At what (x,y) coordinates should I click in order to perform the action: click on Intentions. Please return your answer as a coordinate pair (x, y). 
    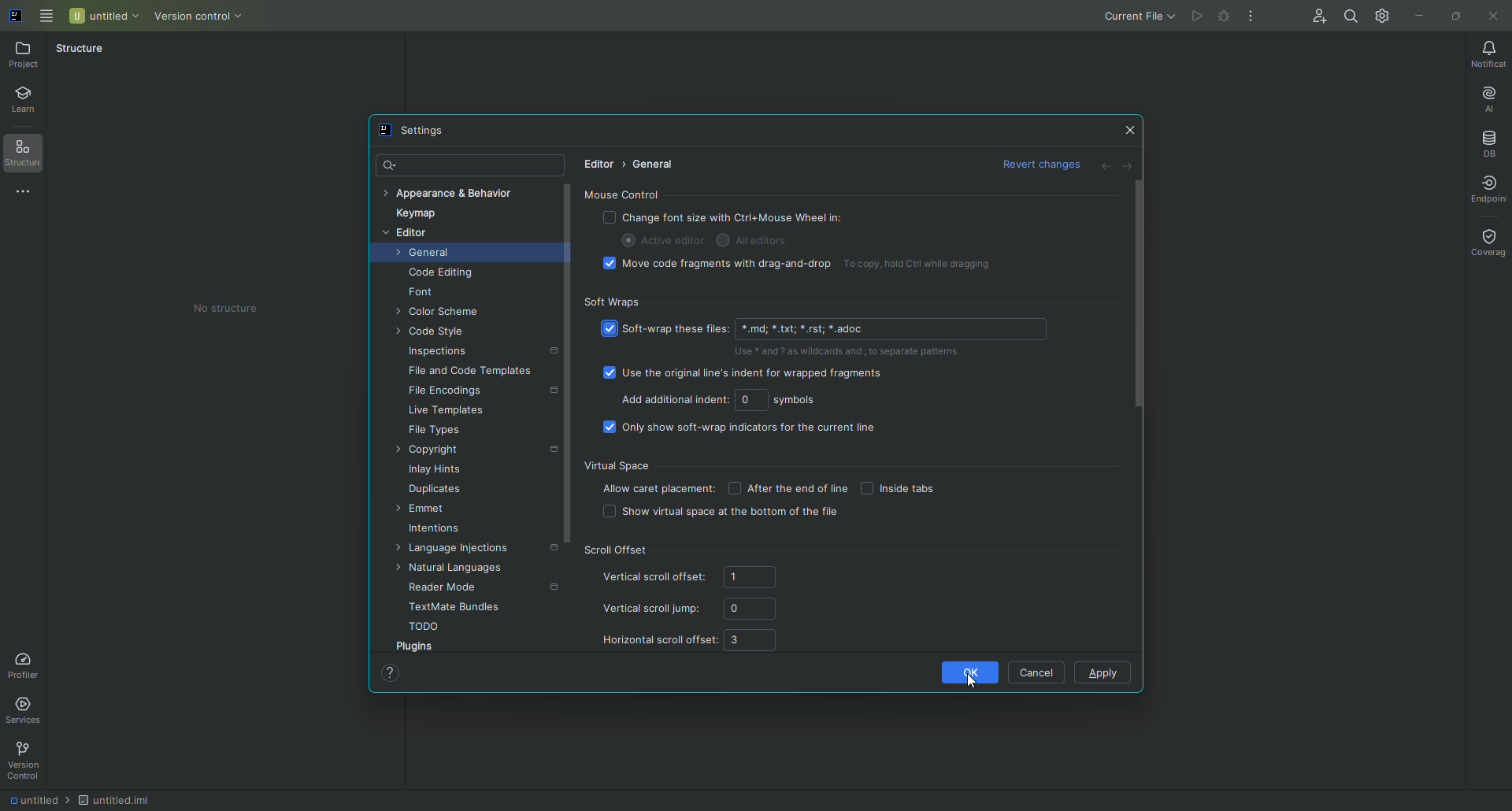
    Looking at the image, I should click on (438, 531).